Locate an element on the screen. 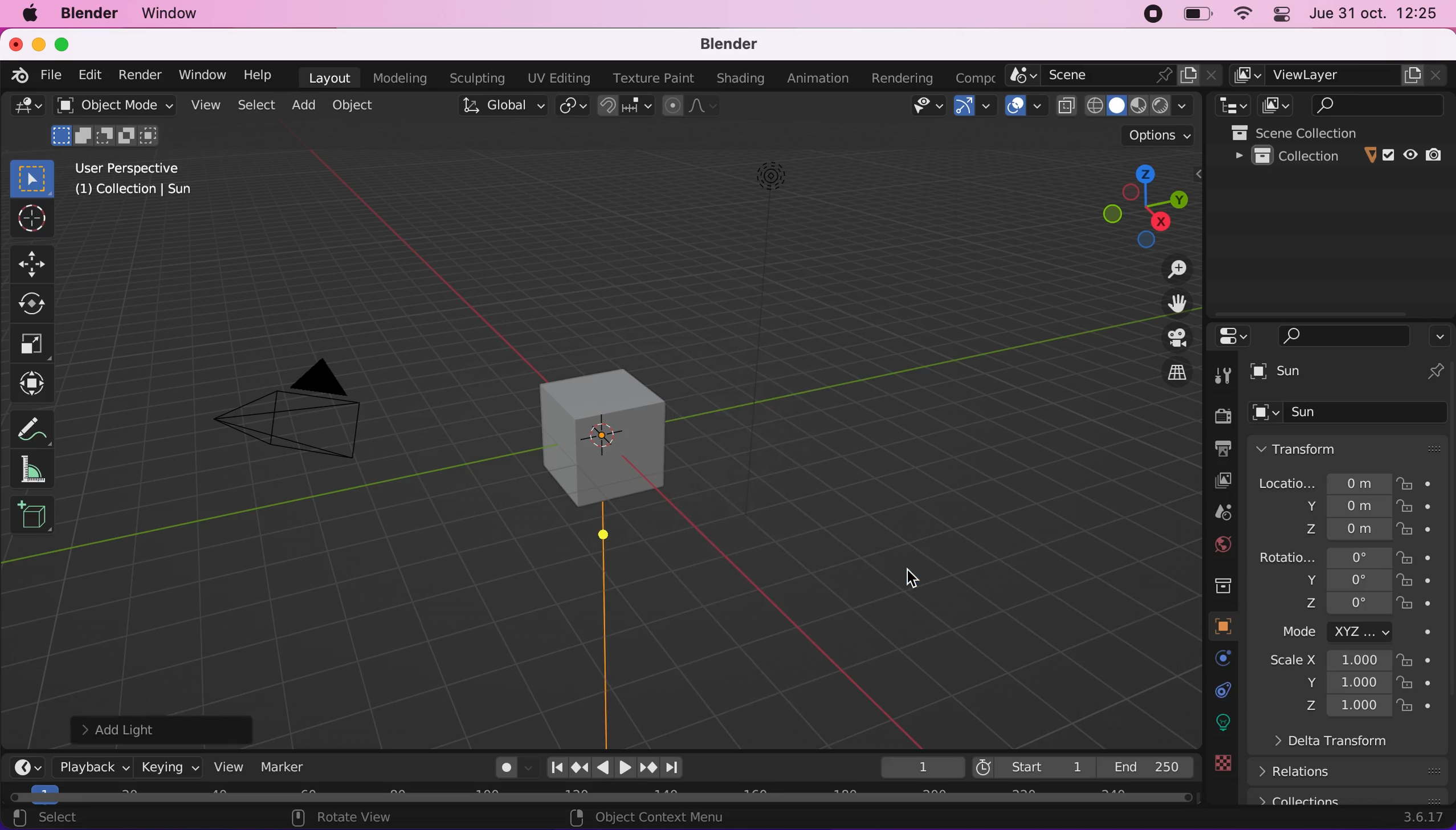  3.6.17 is located at coordinates (1421, 819).